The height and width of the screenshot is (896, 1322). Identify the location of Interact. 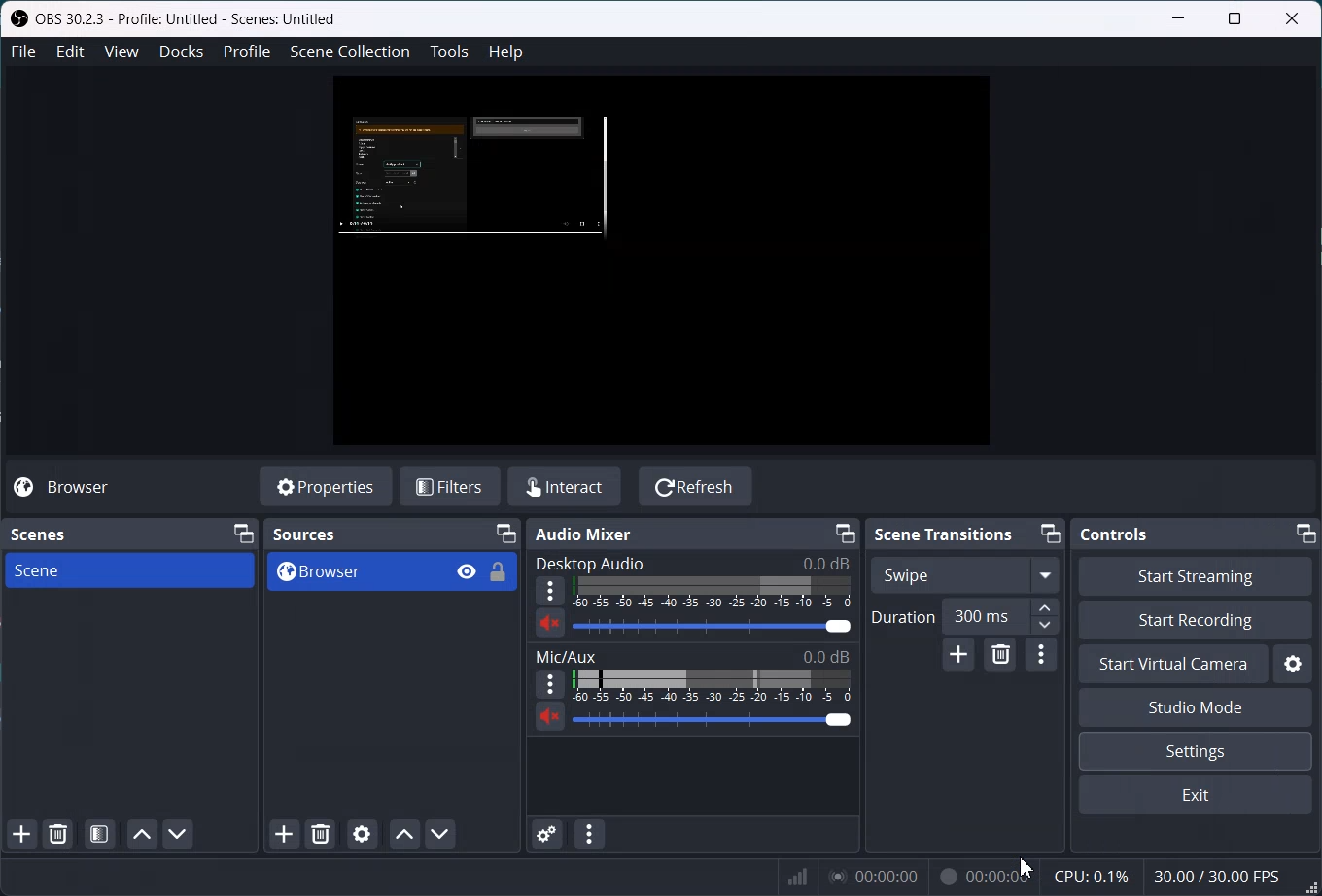
(568, 488).